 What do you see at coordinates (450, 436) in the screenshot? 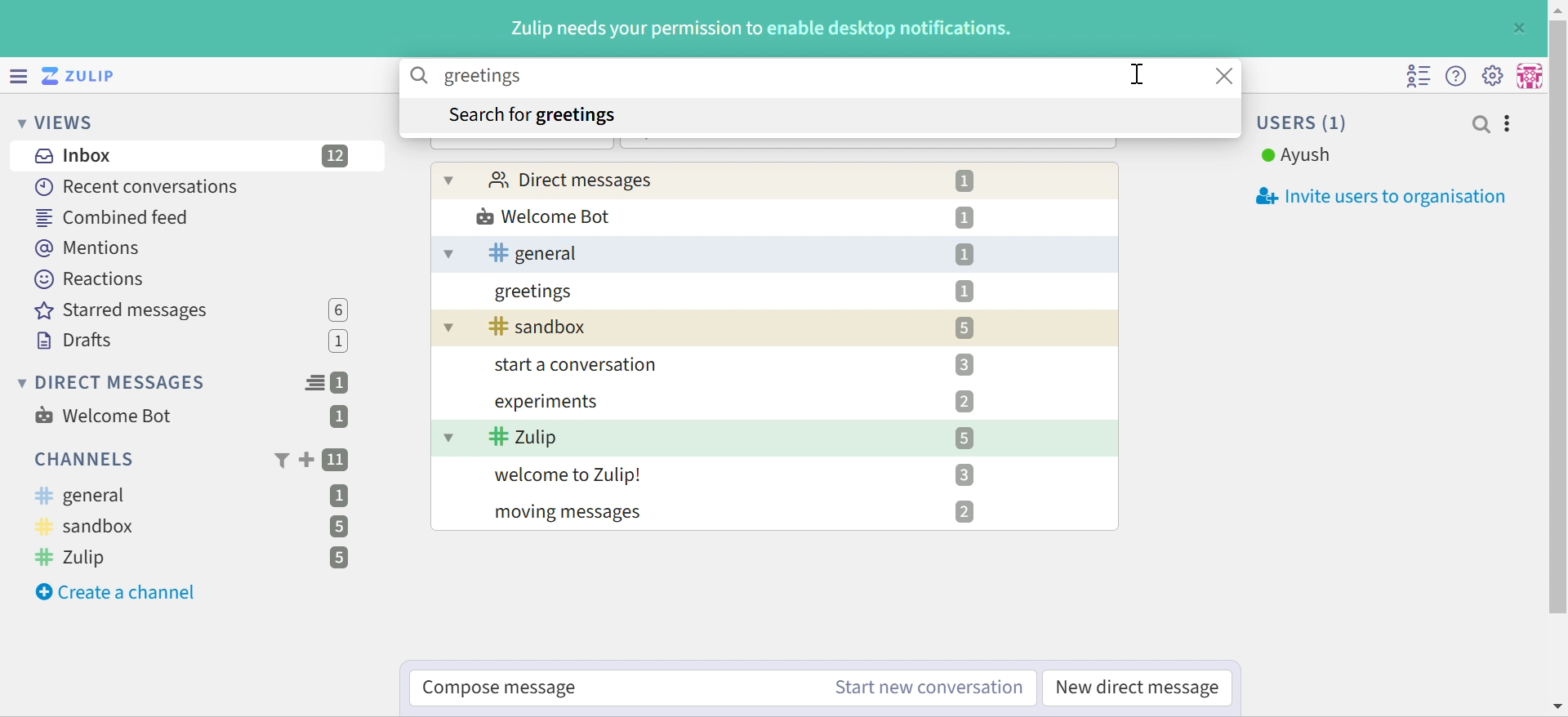
I see `Drop down` at bounding box center [450, 436].